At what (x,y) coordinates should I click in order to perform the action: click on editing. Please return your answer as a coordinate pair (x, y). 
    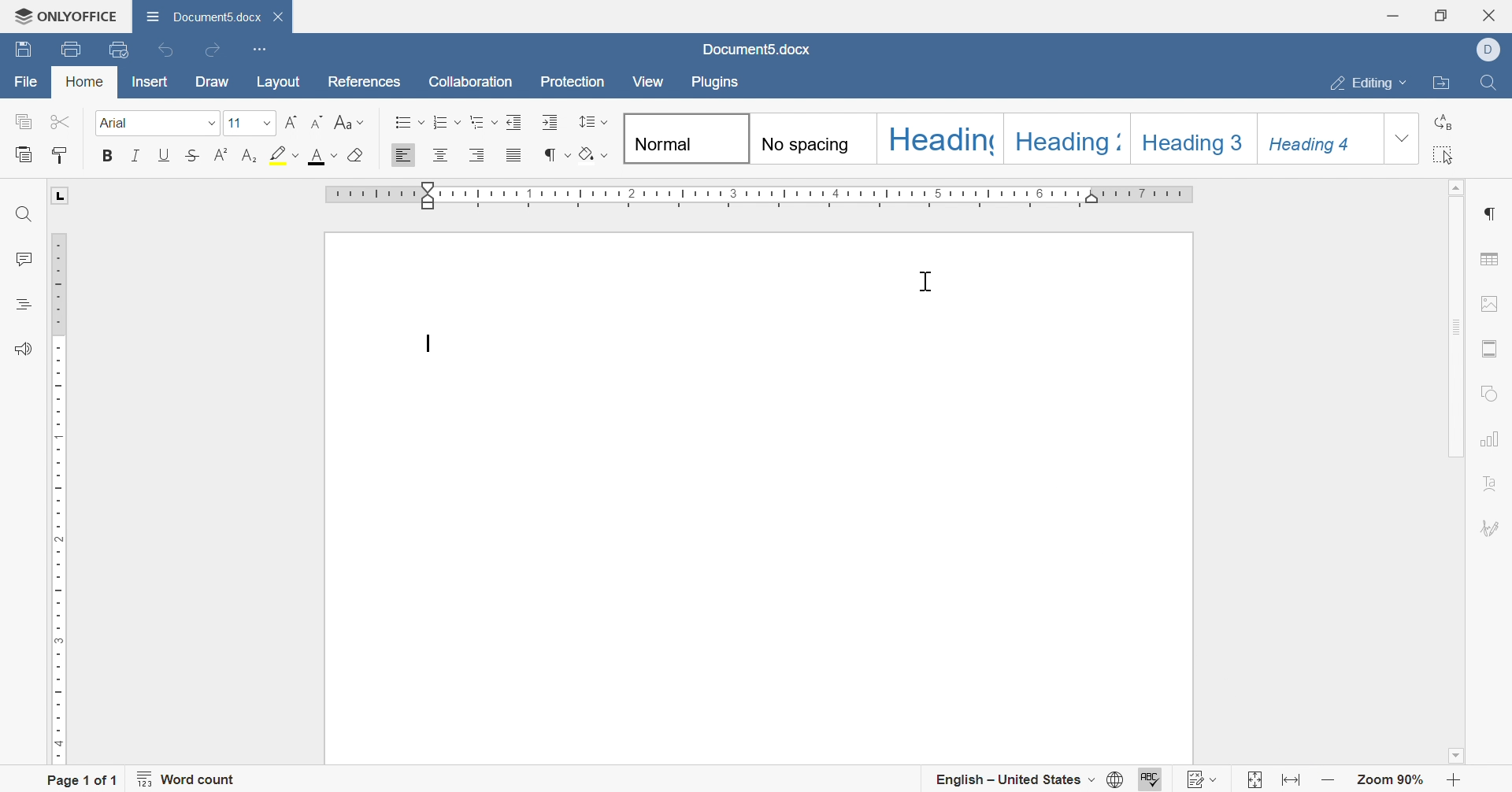
    Looking at the image, I should click on (1360, 82).